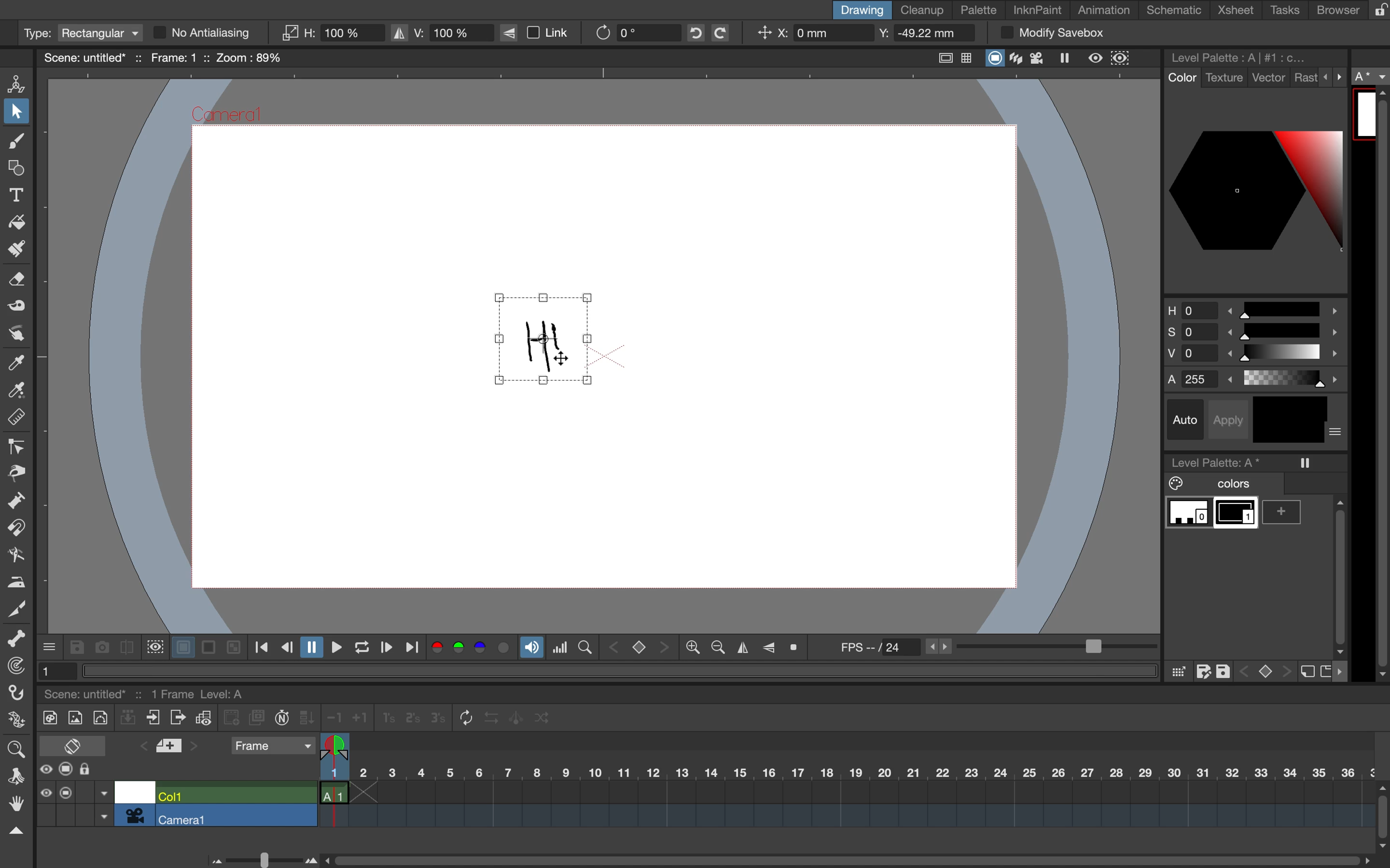 This screenshot has width=1390, height=868. Describe the element at coordinates (1217, 484) in the screenshot. I see `colors` at that location.